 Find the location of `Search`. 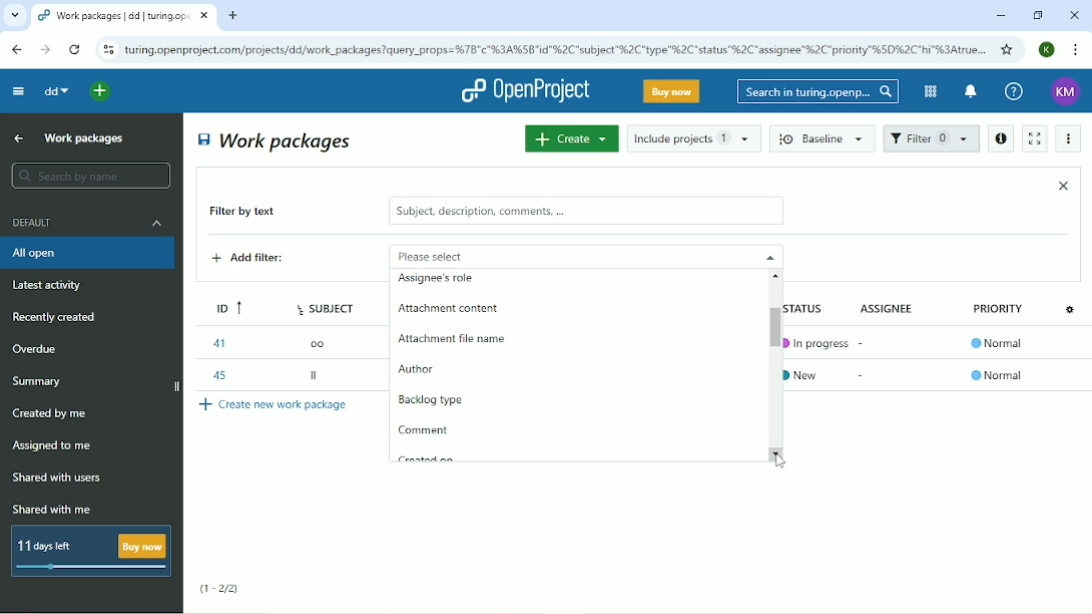

Search is located at coordinates (818, 91).